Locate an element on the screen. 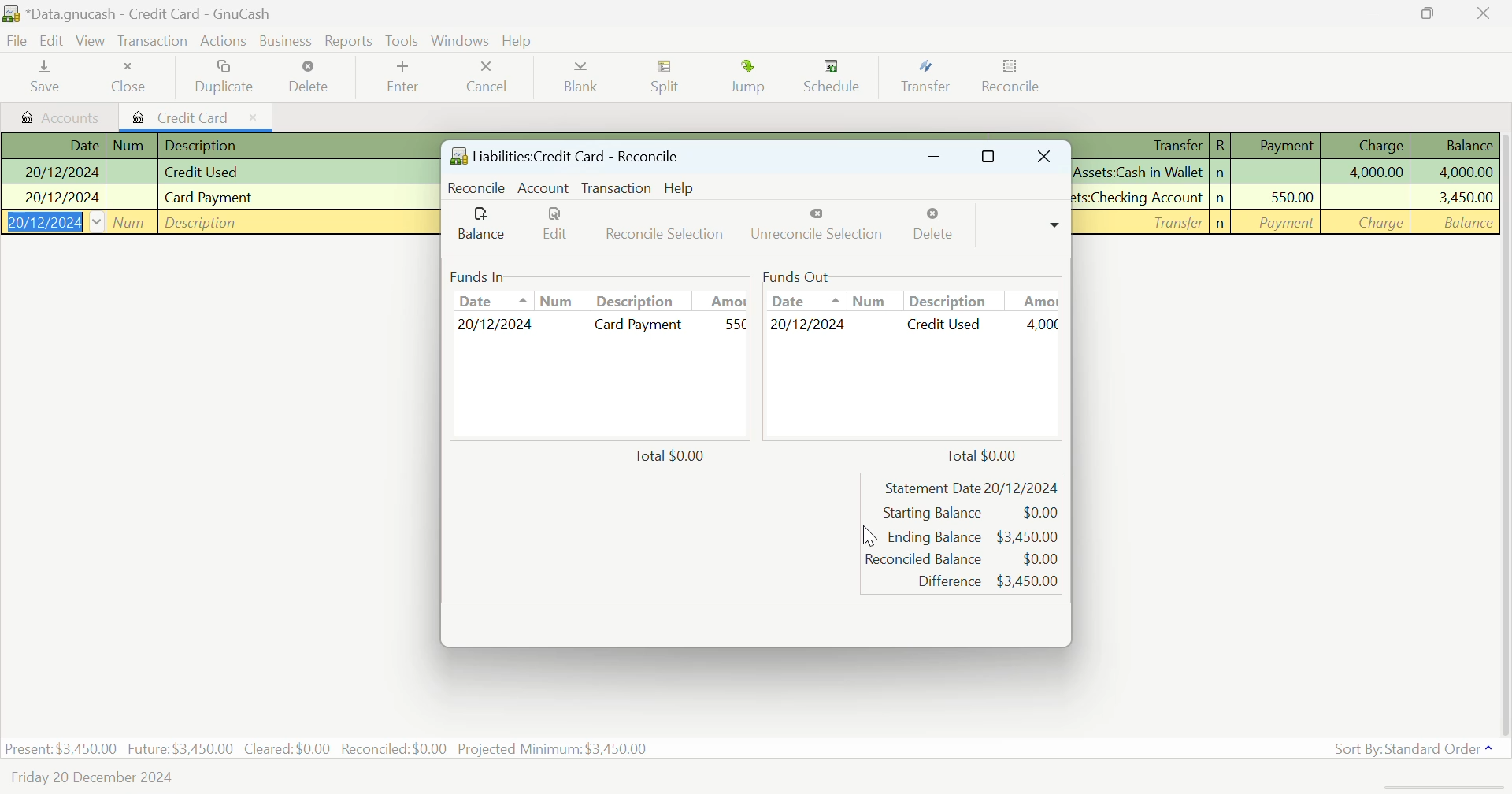  20/12/2024 Credit Used 4,000.00 is located at coordinates (913, 323).